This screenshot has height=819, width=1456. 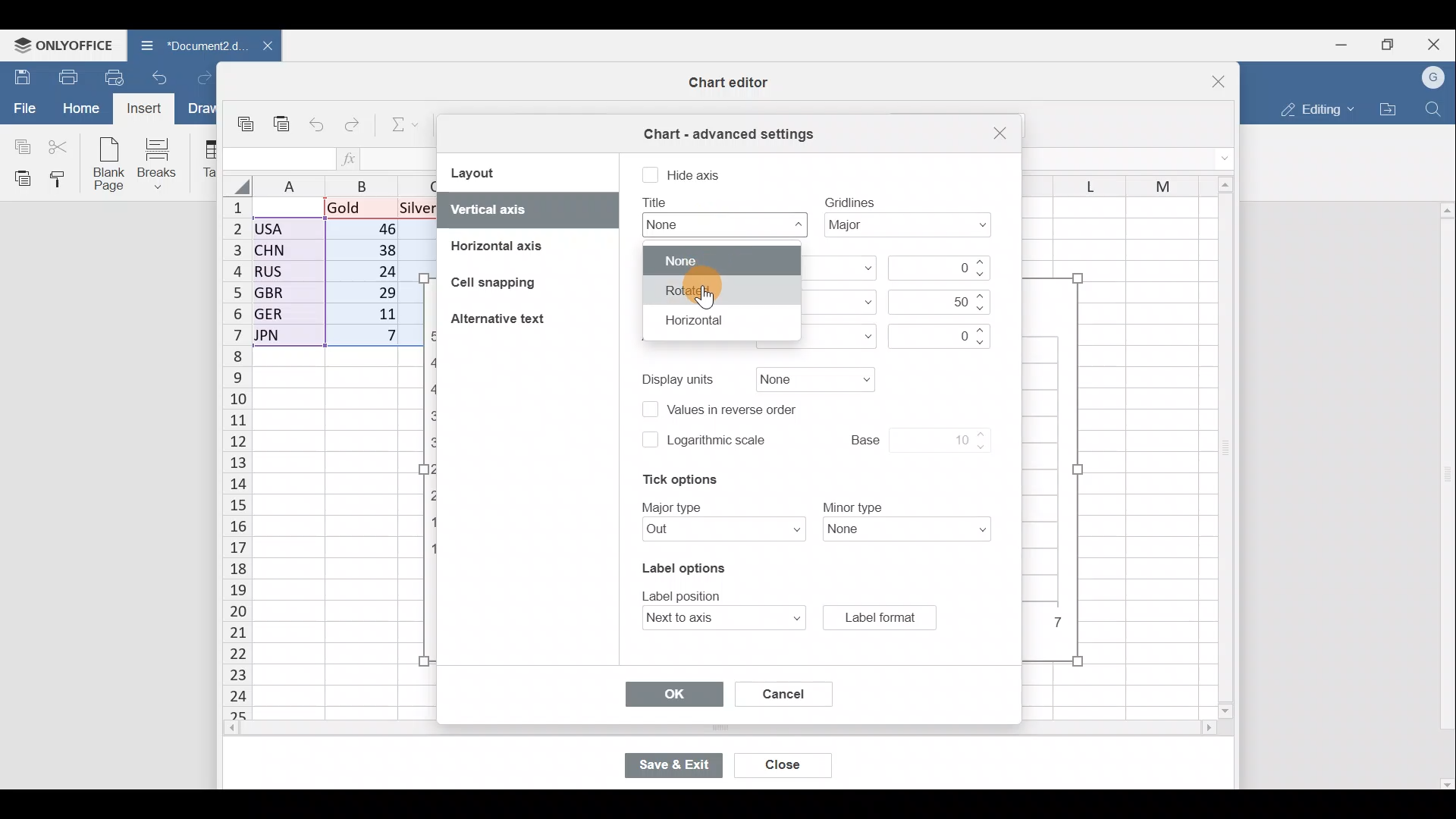 What do you see at coordinates (648, 439) in the screenshot?
I see `checkbox` at bounding box center [648, 439].